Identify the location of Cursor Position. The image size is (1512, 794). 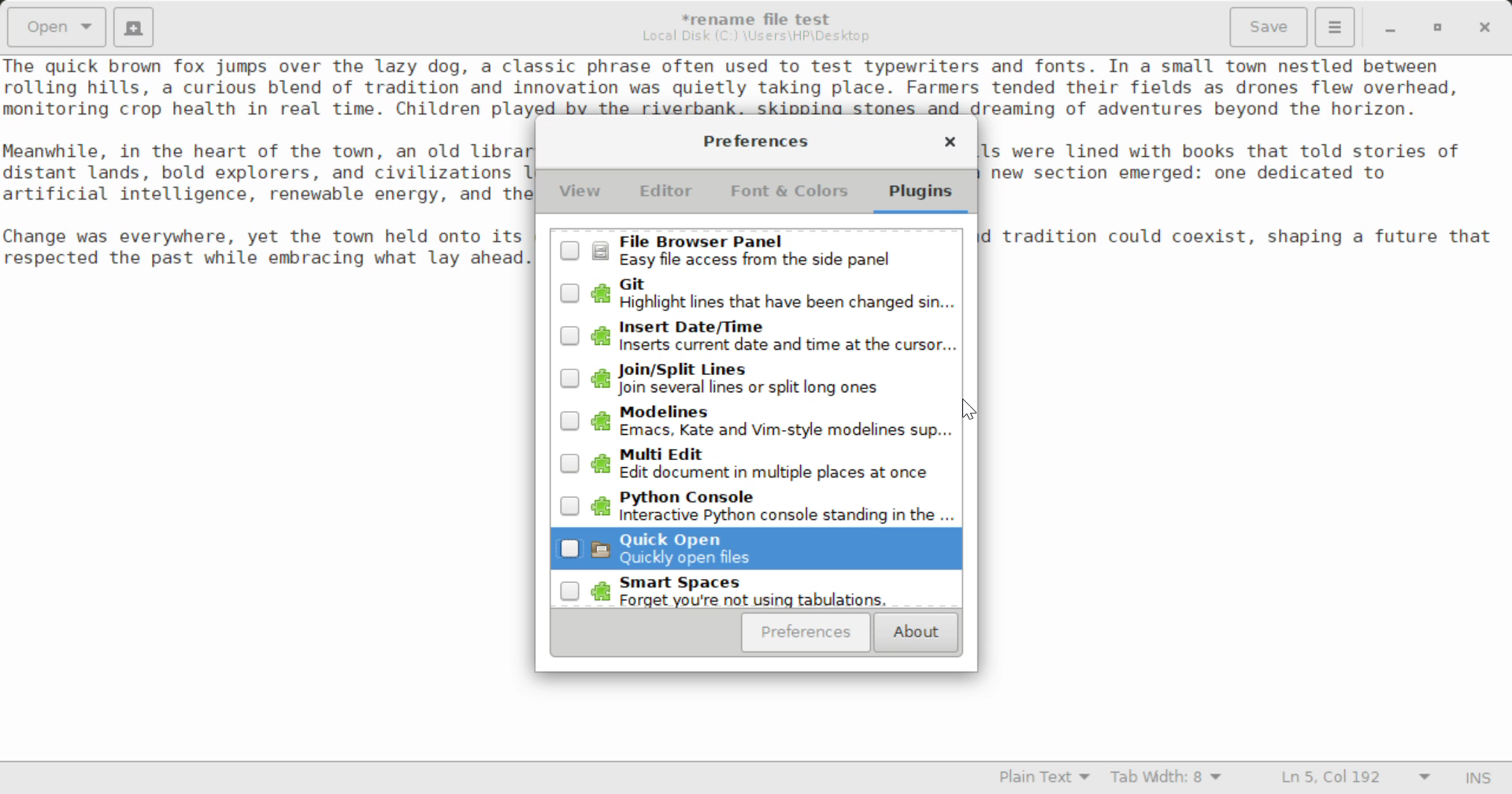
(972, 412).